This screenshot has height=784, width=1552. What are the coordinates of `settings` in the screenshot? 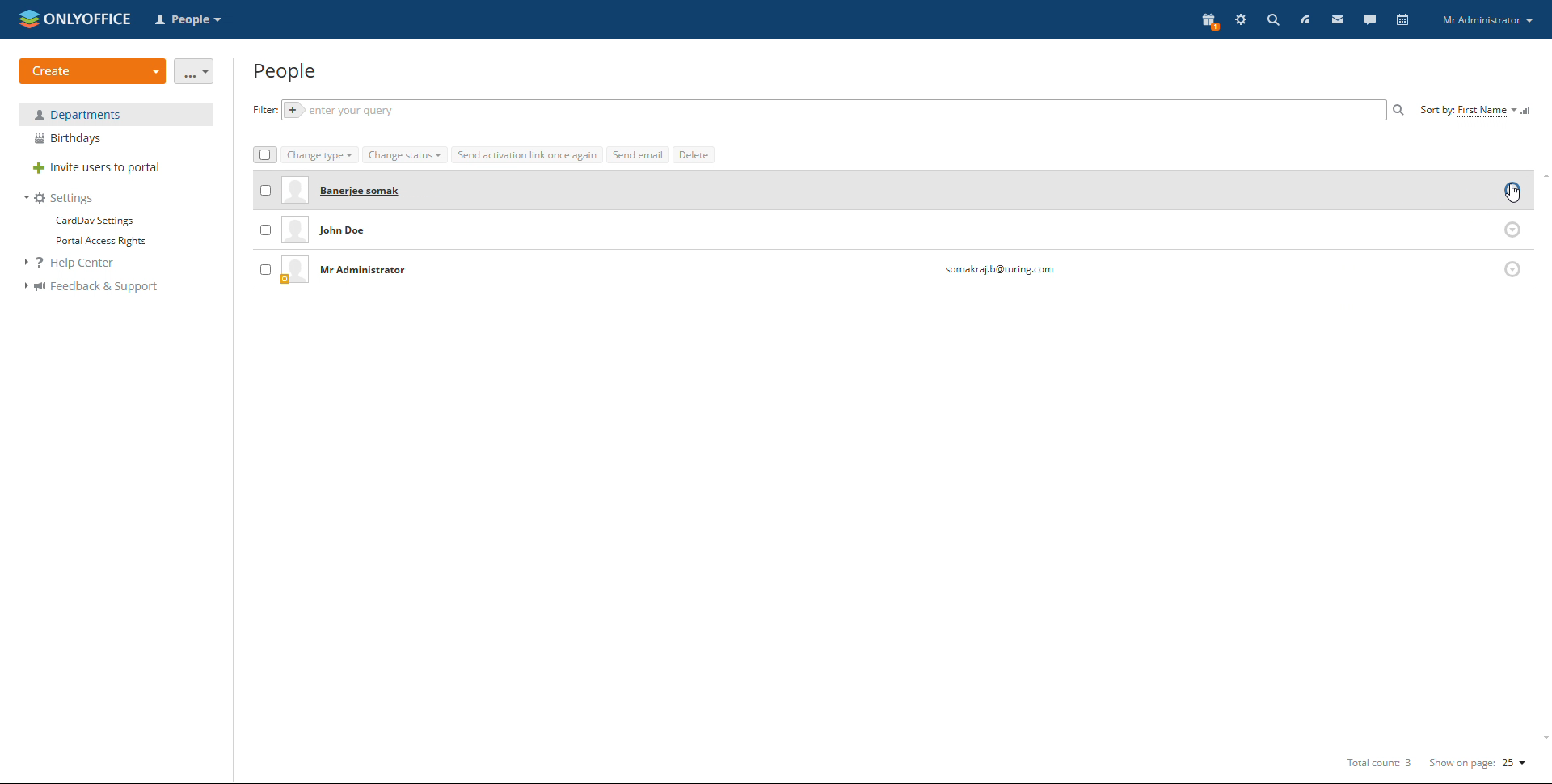 It's located at (60, 198).